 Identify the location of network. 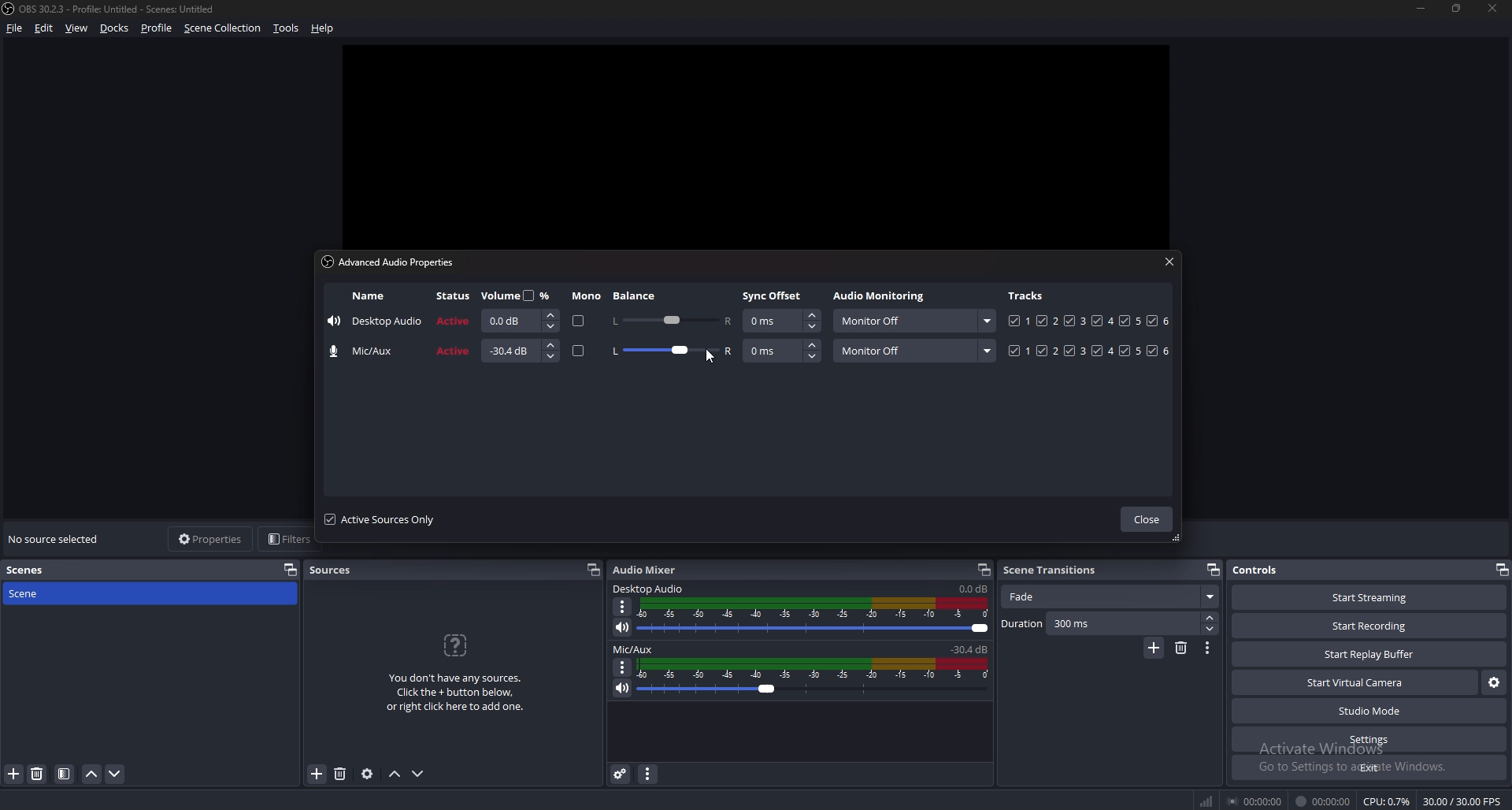
(1210, 801).